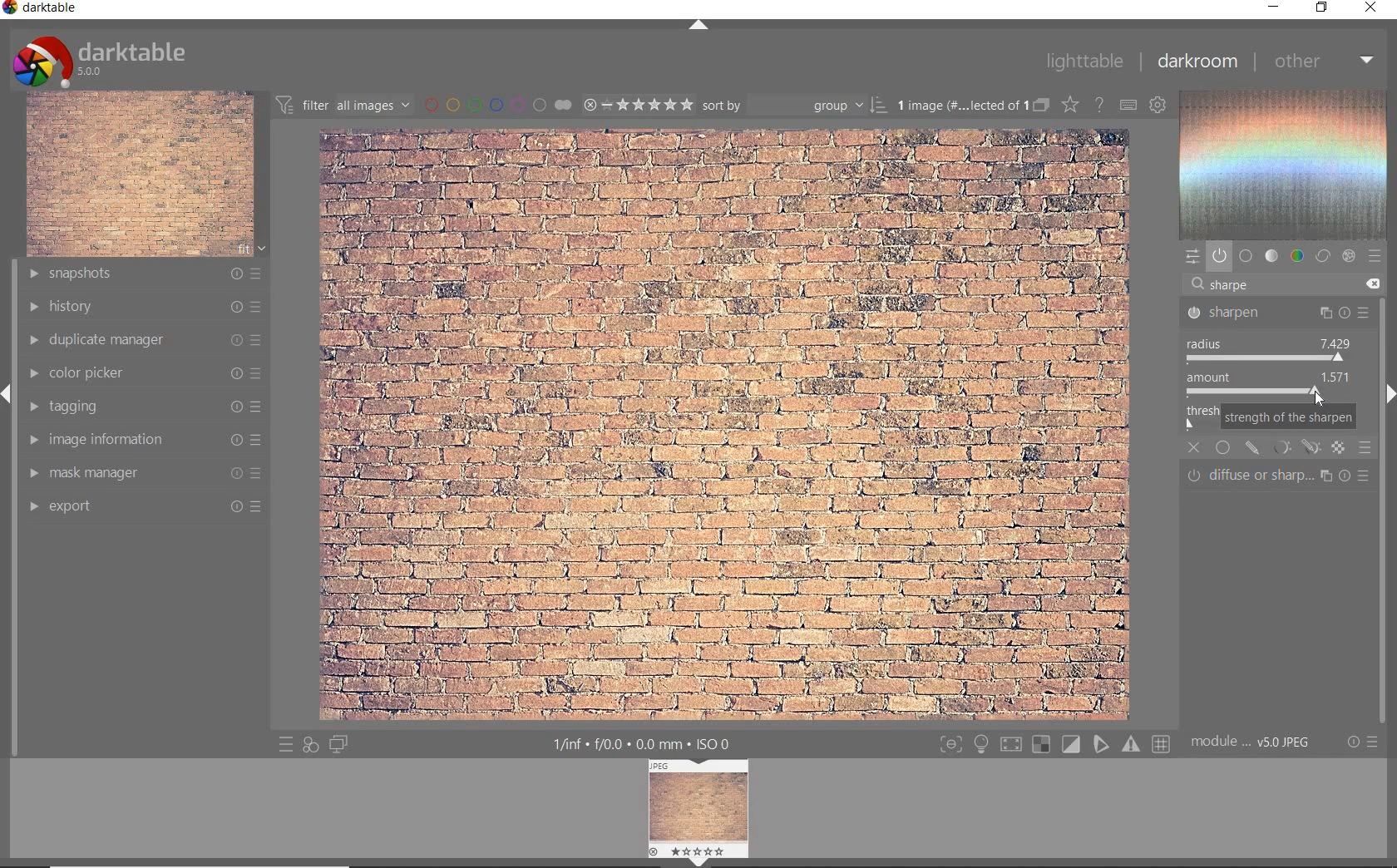 This screenshot has height=868, width=1397. Describe the element at coordinates (1276, 313) in the screenshot. I see `SHARPEN` at that location.